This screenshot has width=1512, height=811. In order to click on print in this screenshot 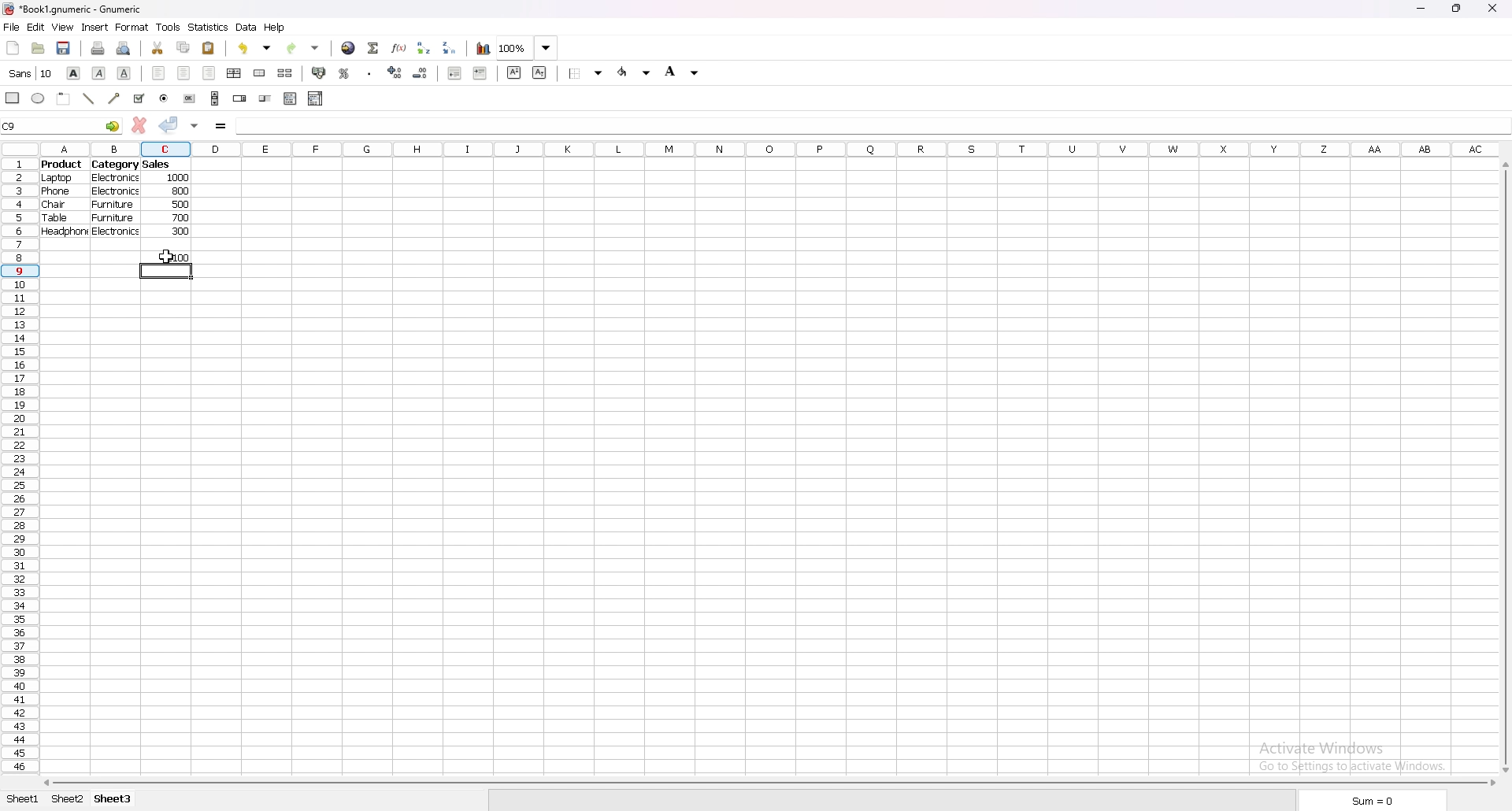, I will do `click(98, 47)`.